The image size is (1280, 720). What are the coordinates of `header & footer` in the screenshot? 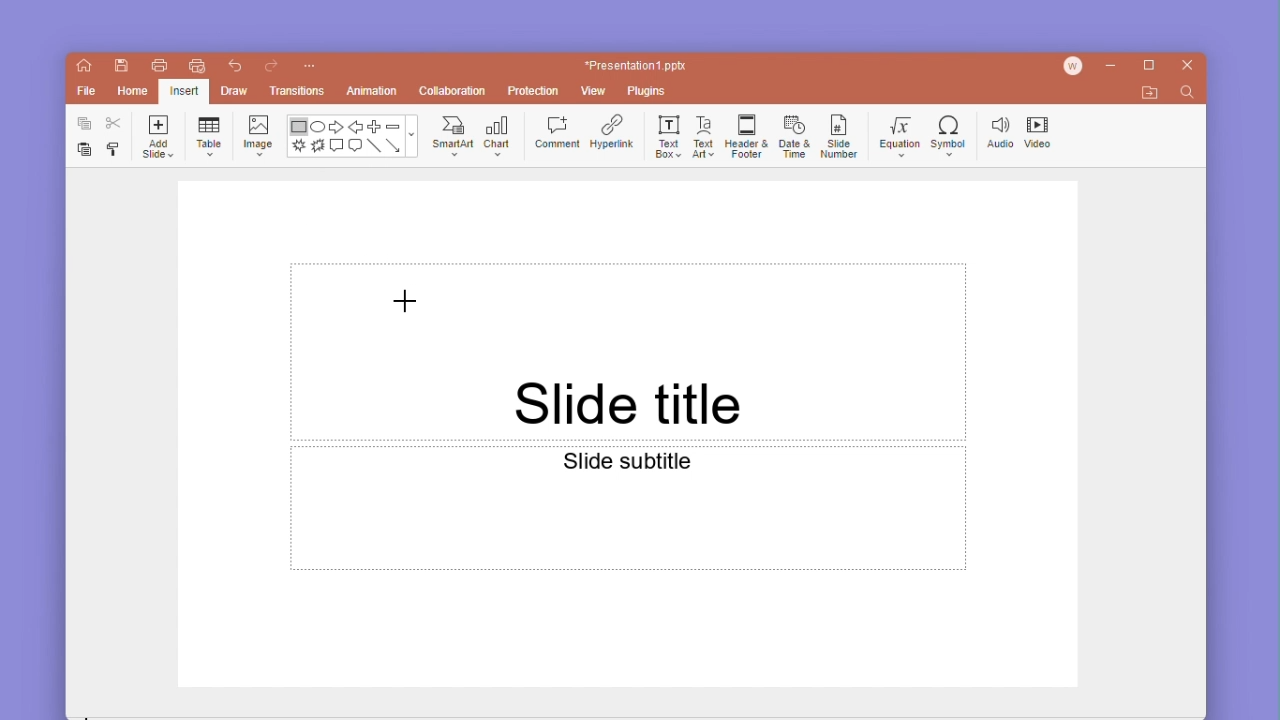 It's located at (745, 135).